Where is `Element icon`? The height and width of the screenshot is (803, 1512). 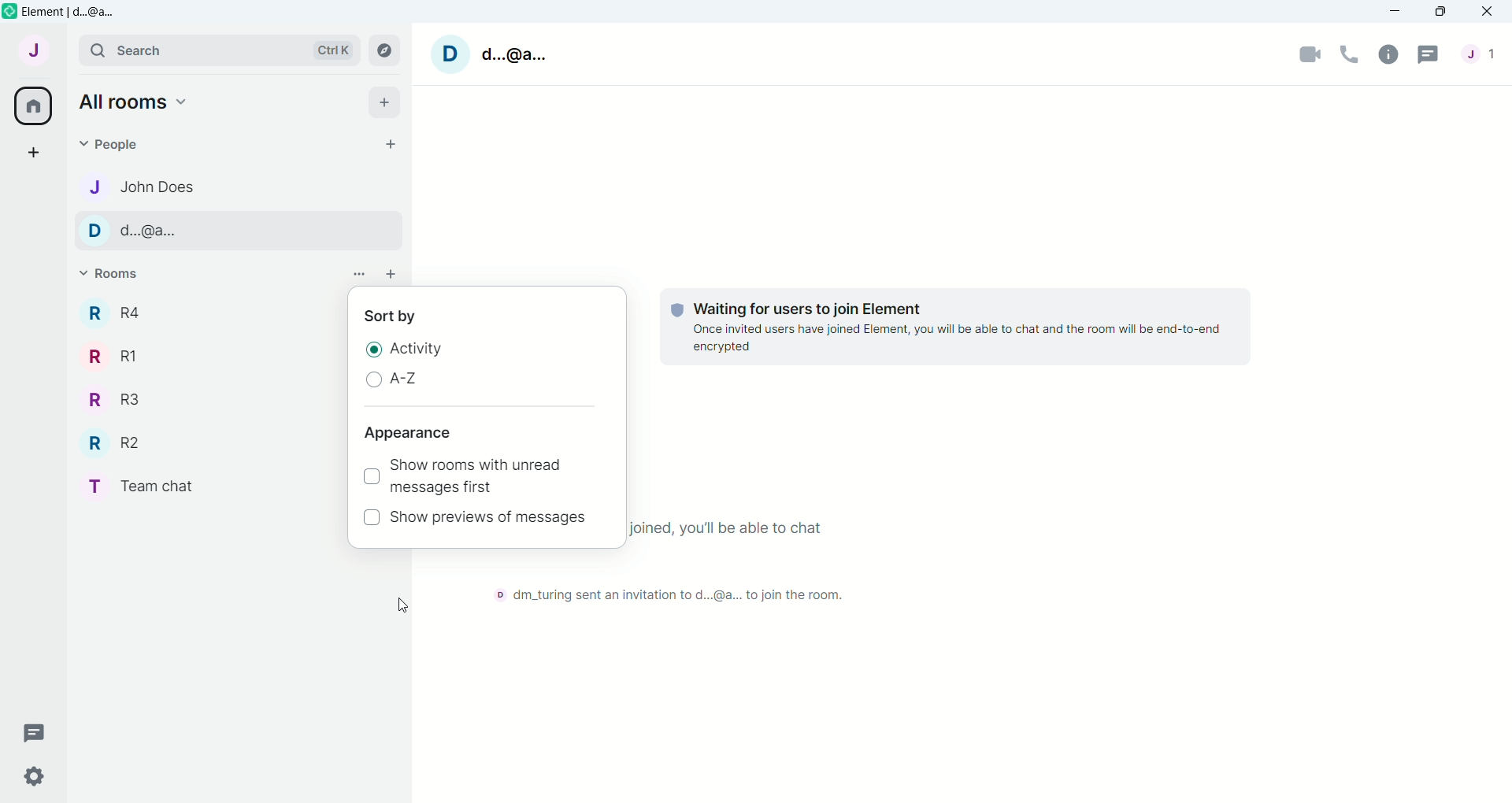 Element icon is located at coordinates (9, 11).